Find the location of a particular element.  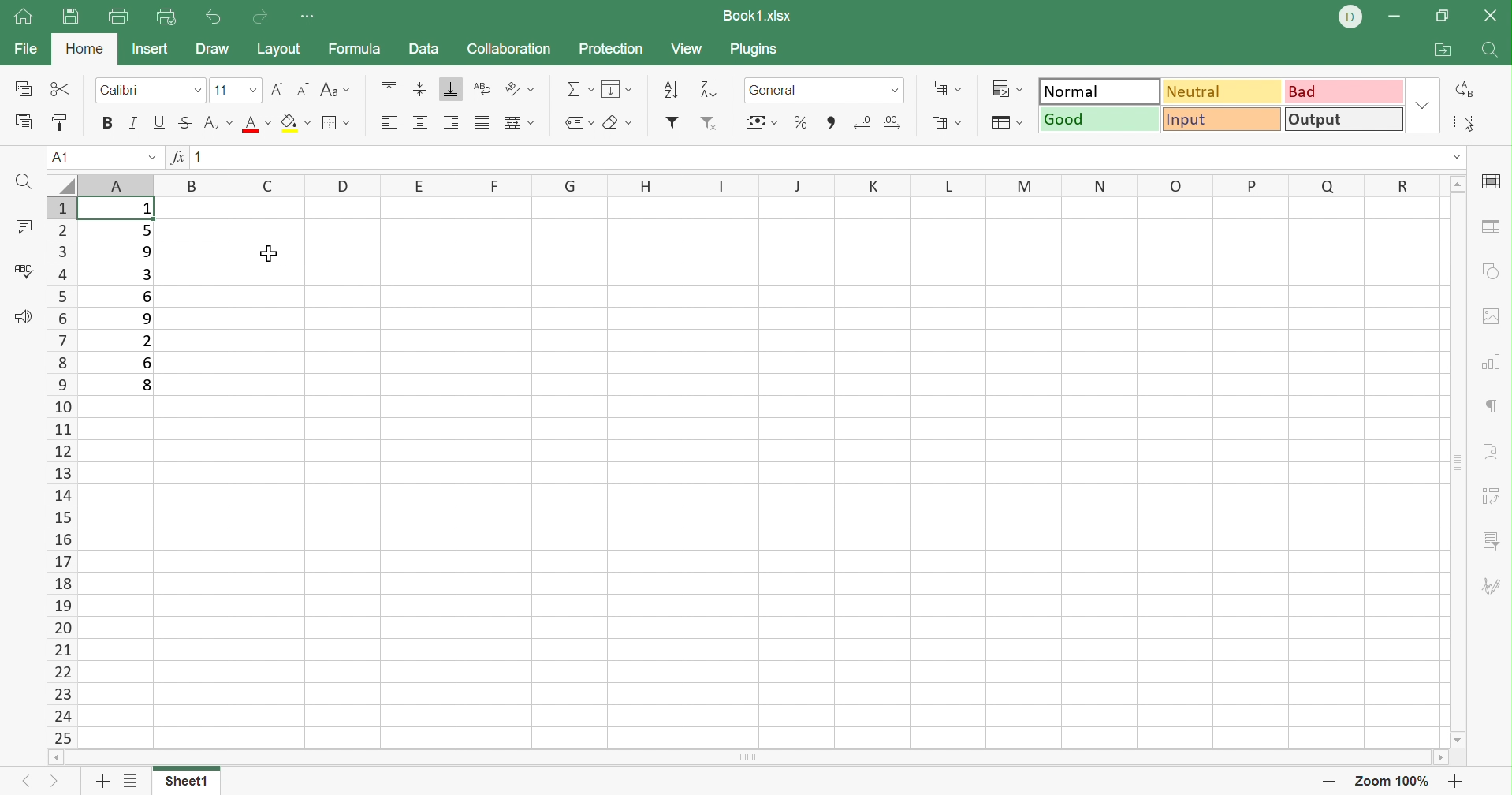

Undo is located at coordinates (213, 17).